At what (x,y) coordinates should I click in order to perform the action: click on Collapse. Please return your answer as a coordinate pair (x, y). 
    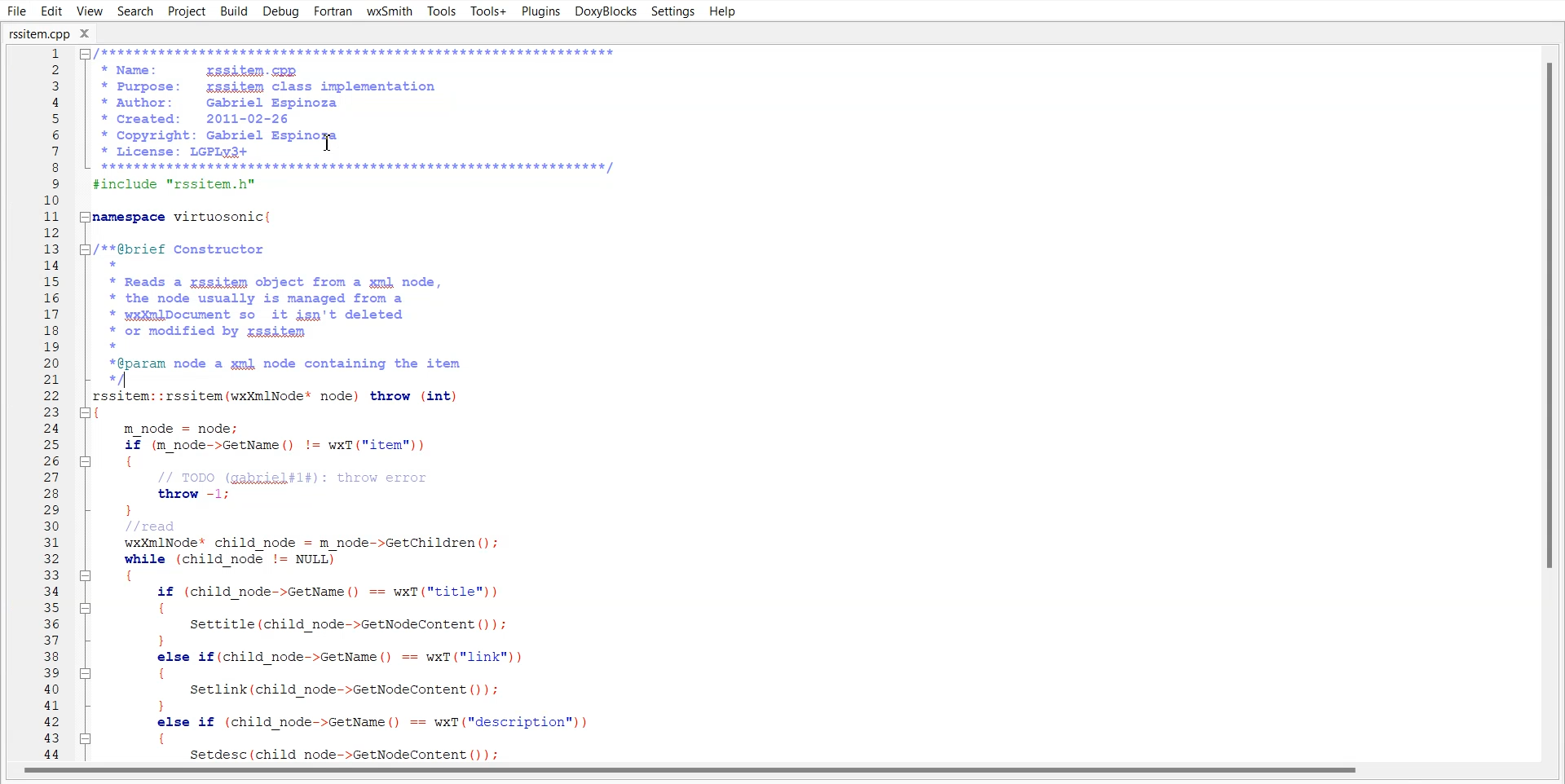
    Looking at the image, I should click on (86, 249).